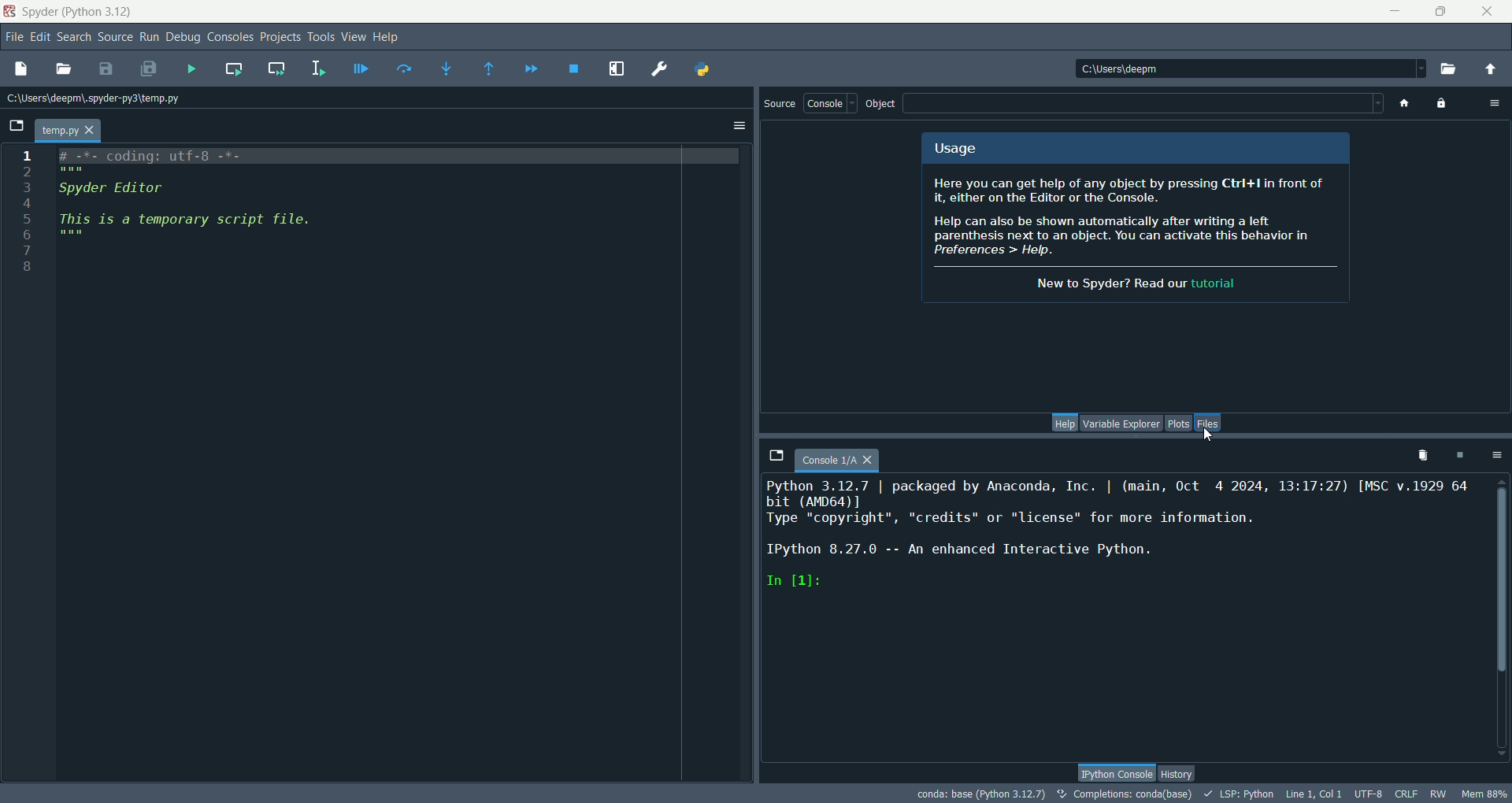 The width and height of the screenshot is (1512, 803). Describe the element at coordinates (194, 203) in the screenshot. I see `script file` at that location.